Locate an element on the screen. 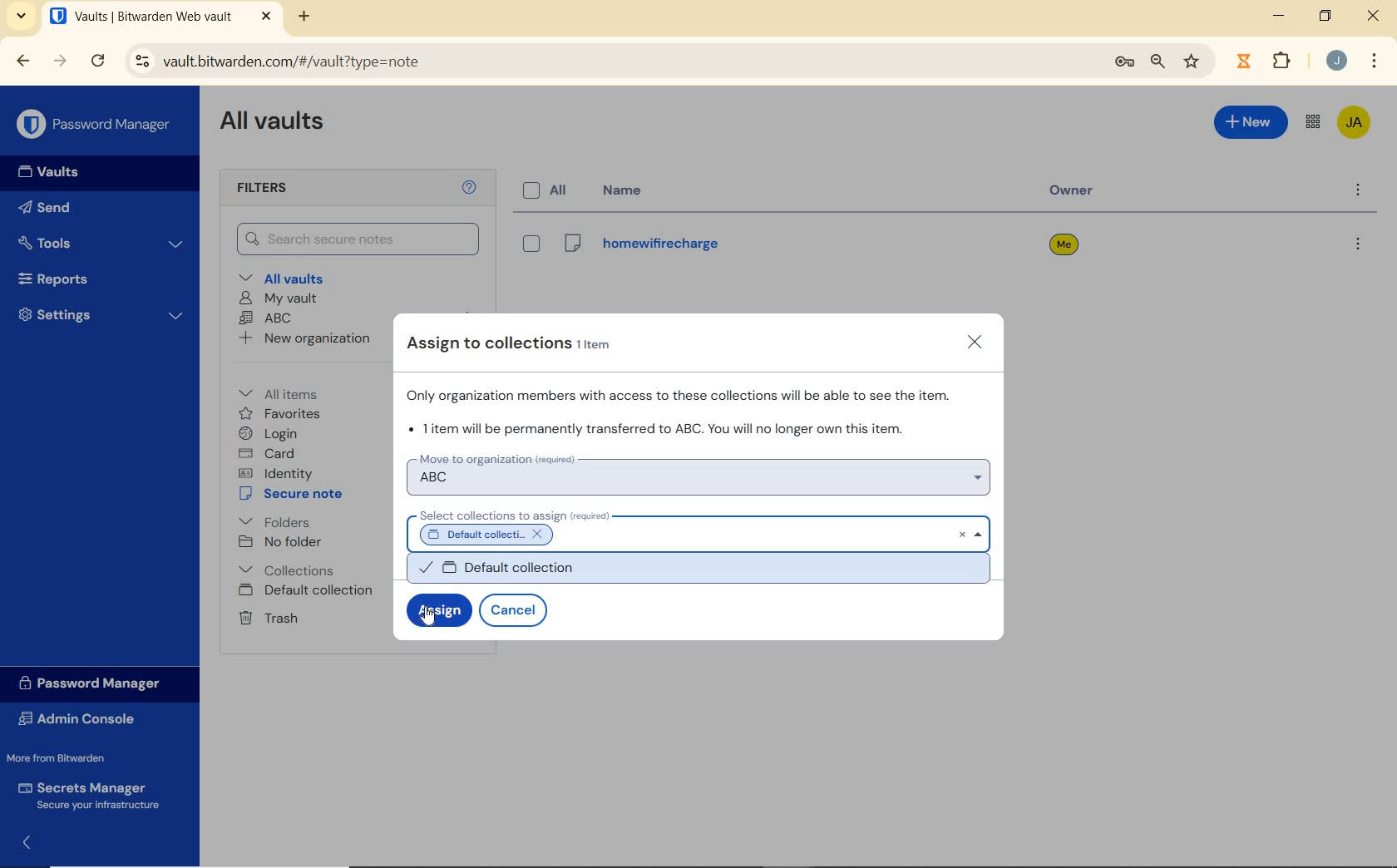 The width and height of the screenshot is (1397, 868). Help is located at coordinates (471, 188).